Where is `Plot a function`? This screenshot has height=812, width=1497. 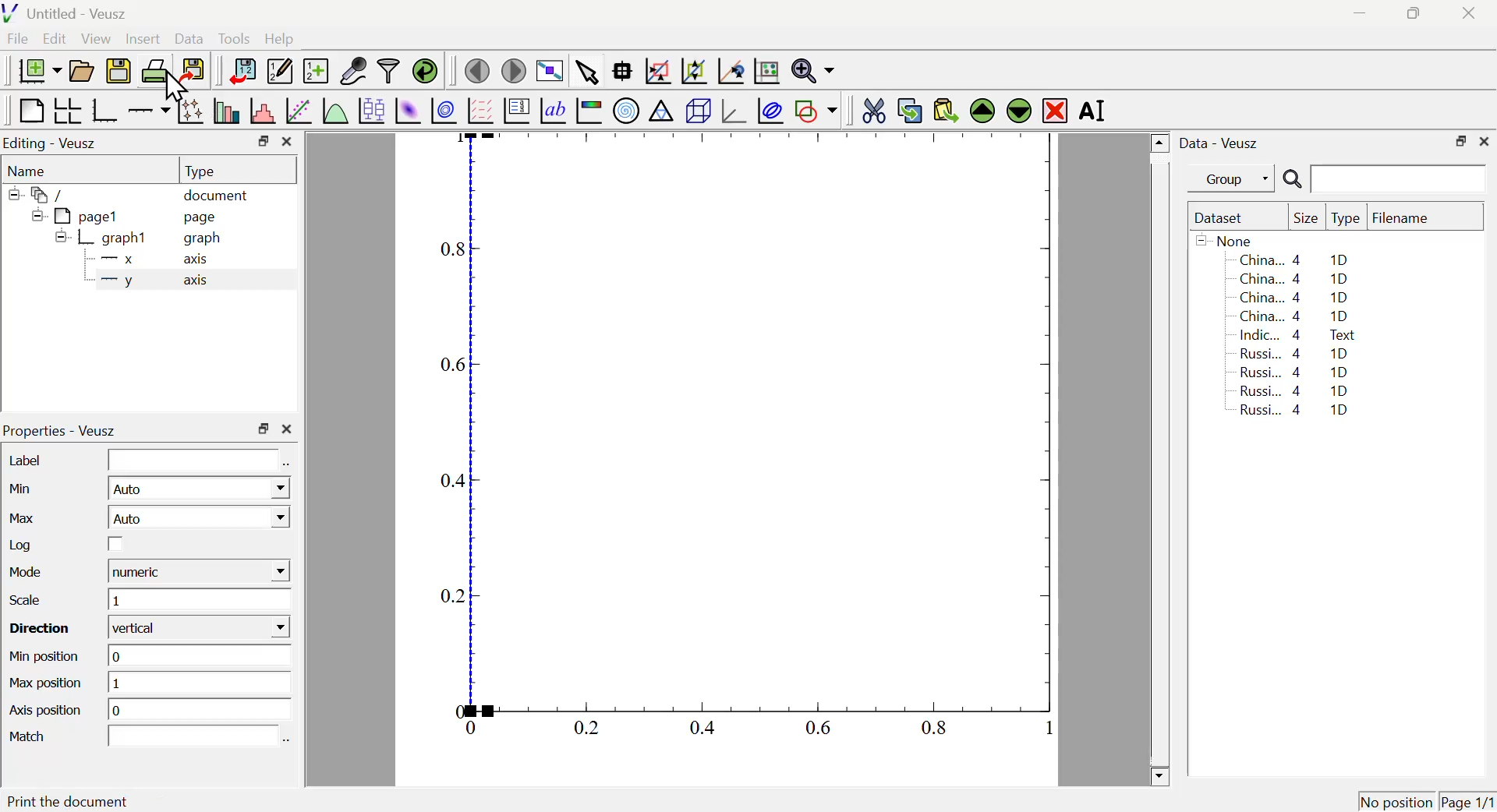
Plot a function is located at coordinates (333, 111).